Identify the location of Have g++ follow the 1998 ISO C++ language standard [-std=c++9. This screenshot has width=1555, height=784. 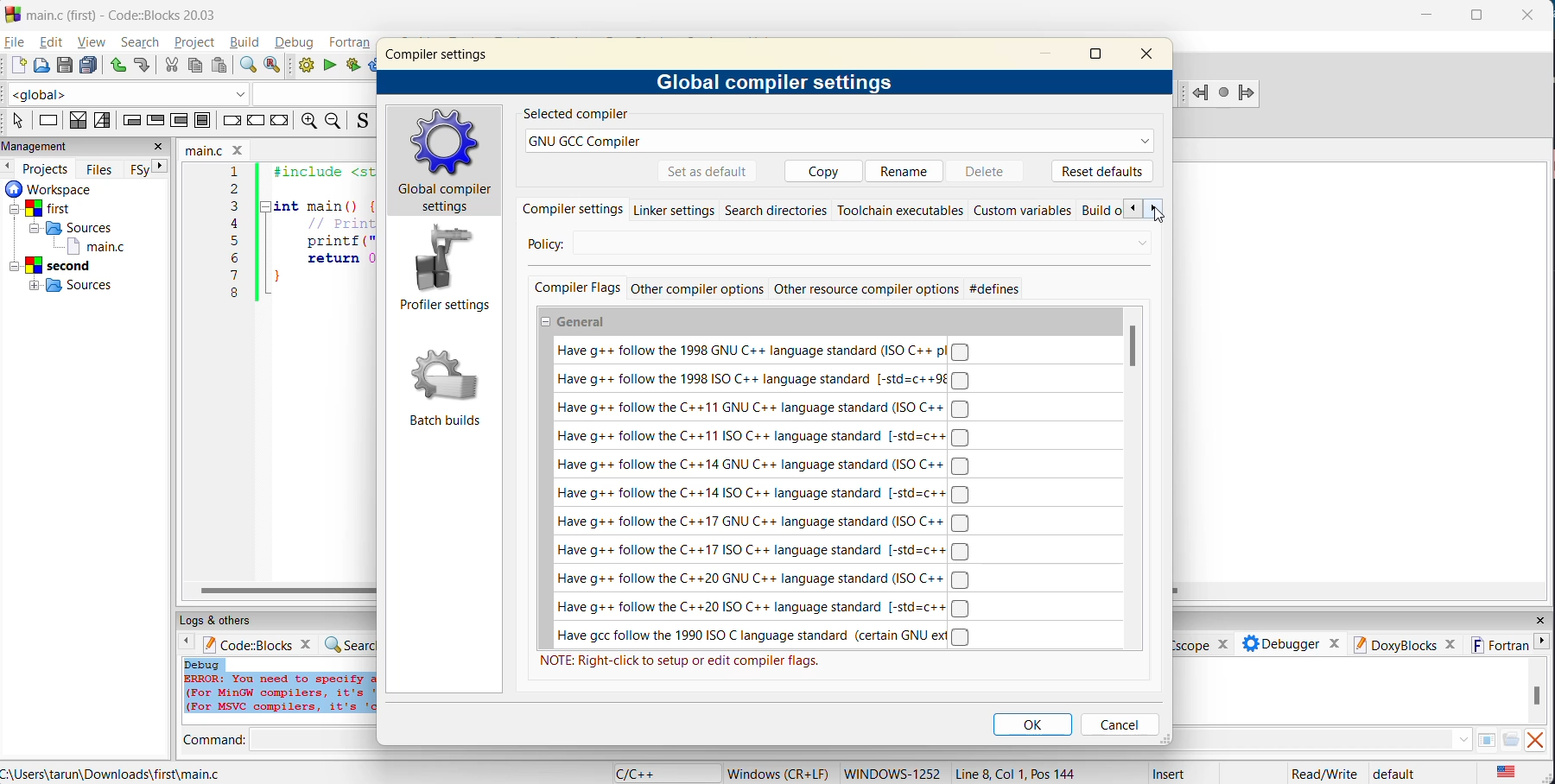
(763, 379).